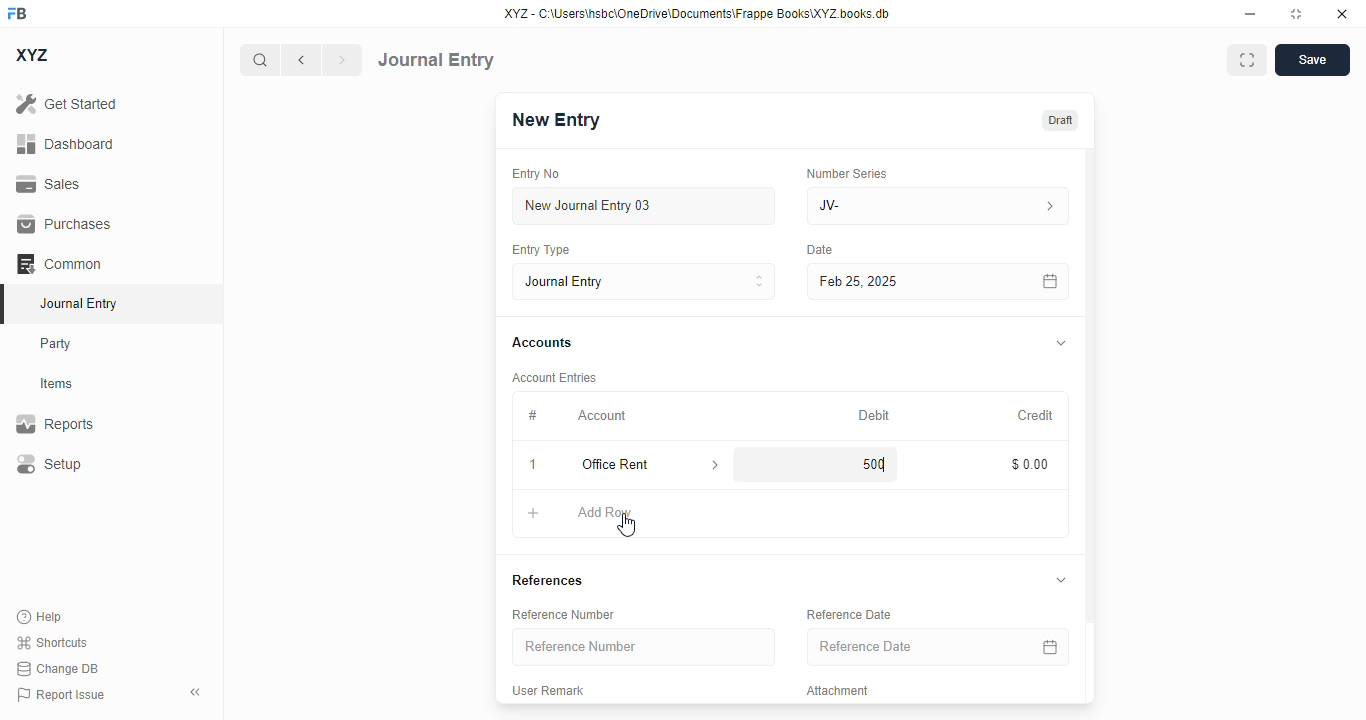 Image resolution: width=1366 pixels, height=720 pixels. I want to click on journal entry, so click(436, 60).